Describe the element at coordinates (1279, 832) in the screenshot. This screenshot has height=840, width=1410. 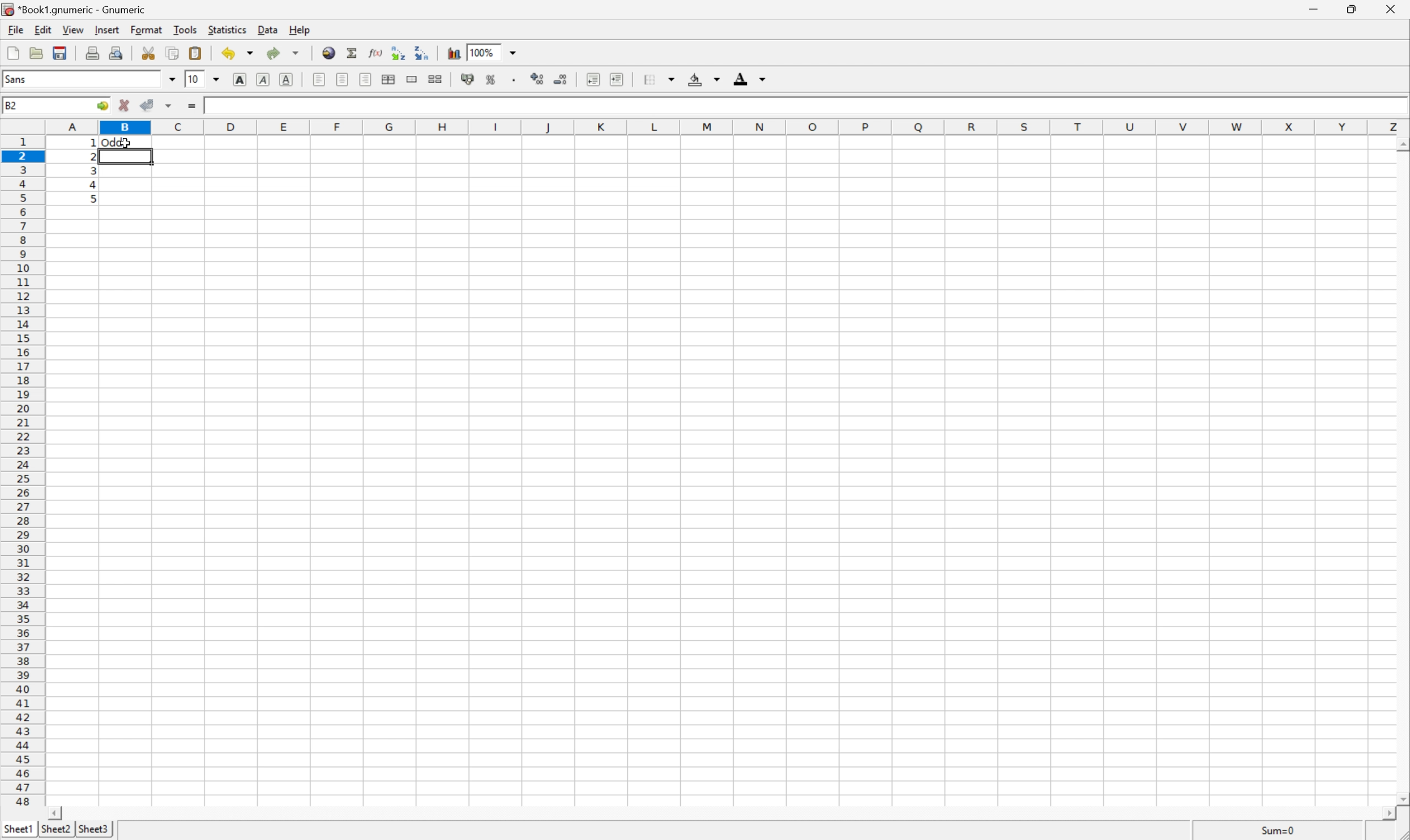
I see `Sum=1` at that location.